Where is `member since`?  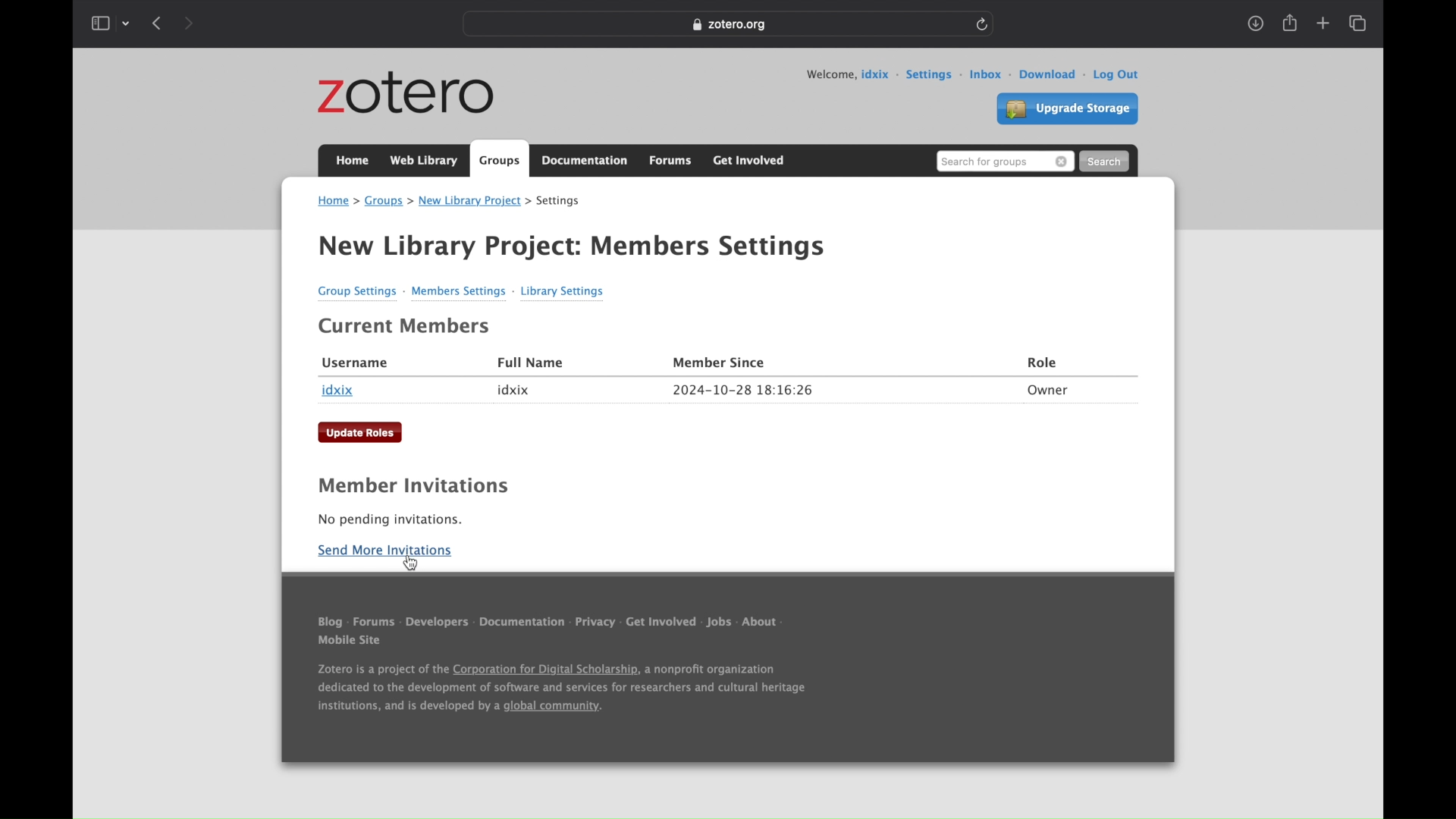
member since is located at coordinates (720, 362).